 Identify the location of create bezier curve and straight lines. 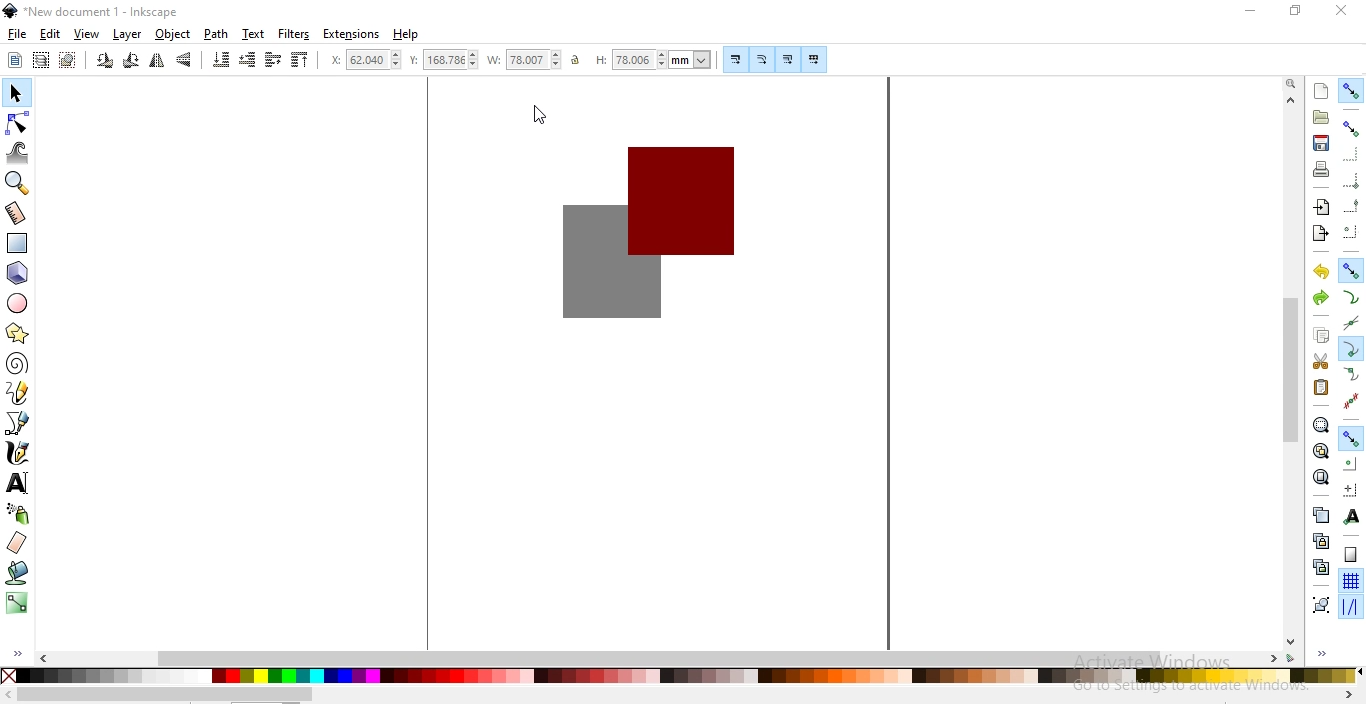
(18, 422).